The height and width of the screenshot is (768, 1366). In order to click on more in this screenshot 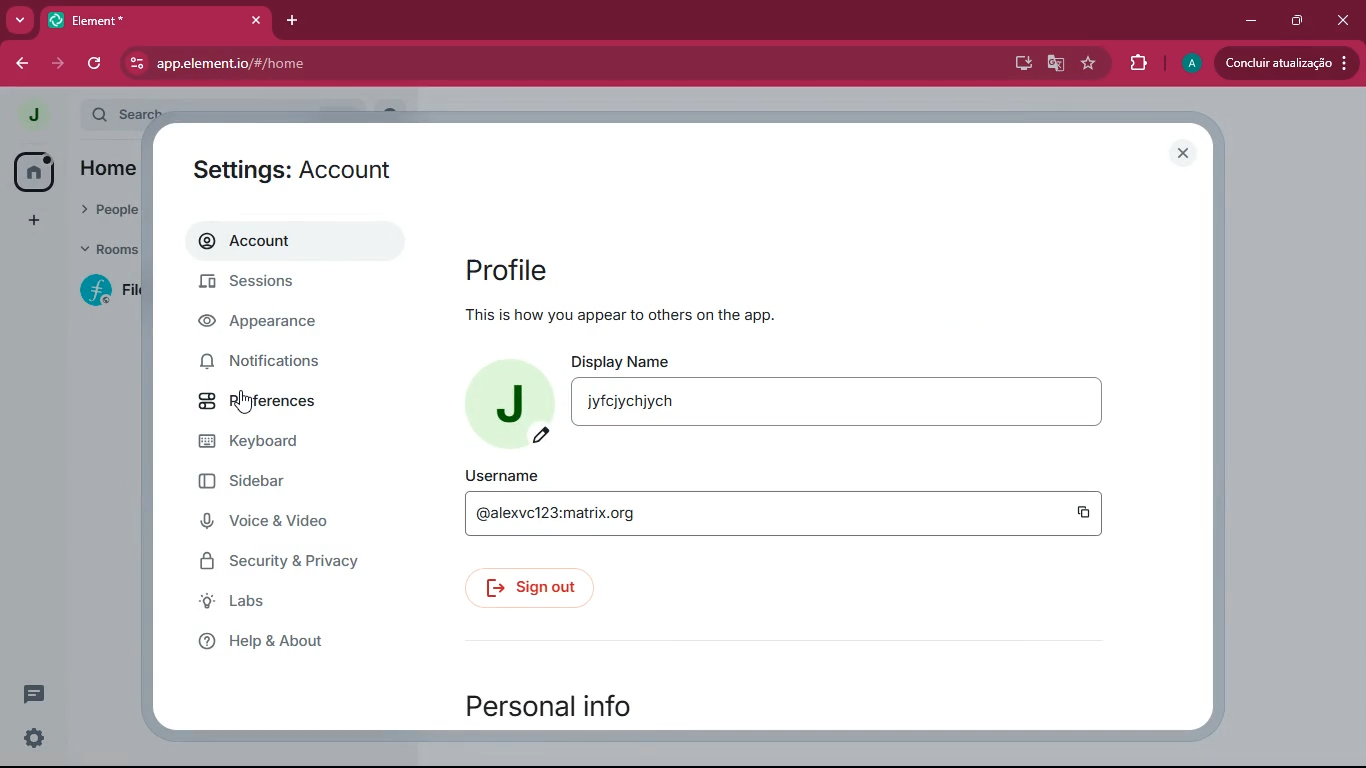, I will do `click(20, 22)`.